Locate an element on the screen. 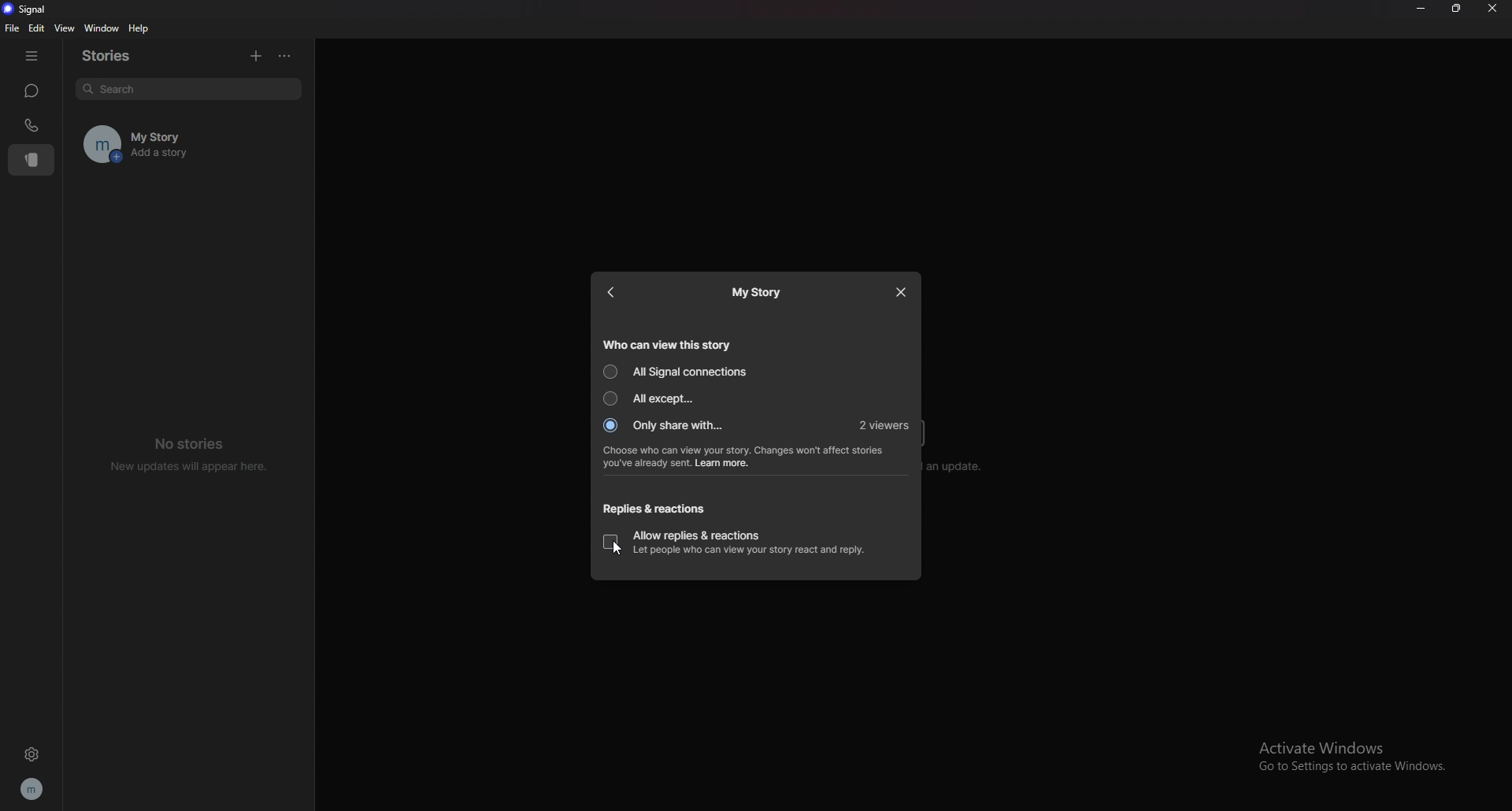  all except is located at coordinates (654, 398).